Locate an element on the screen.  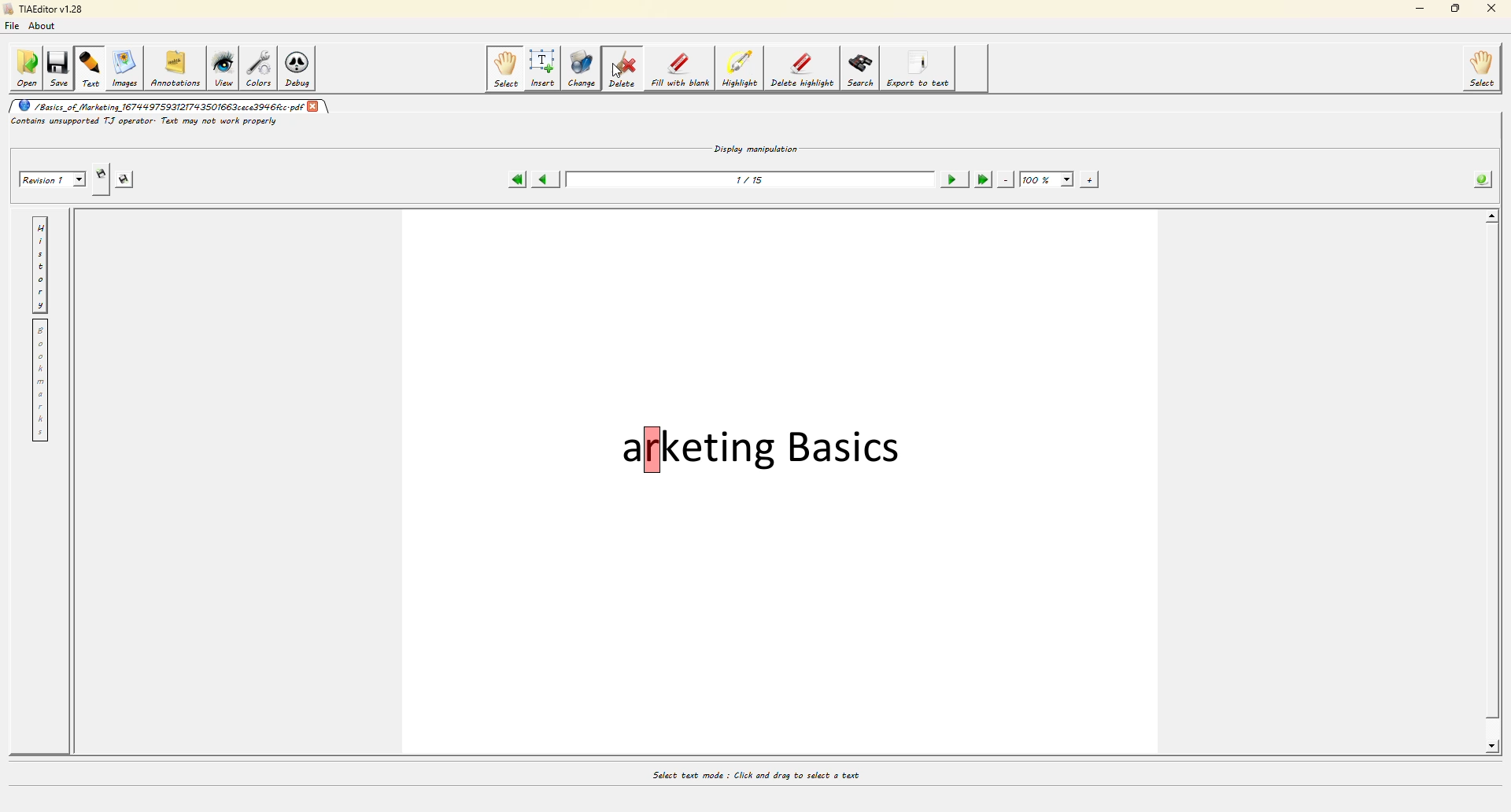
previous page is located at coordinates (548, 176).